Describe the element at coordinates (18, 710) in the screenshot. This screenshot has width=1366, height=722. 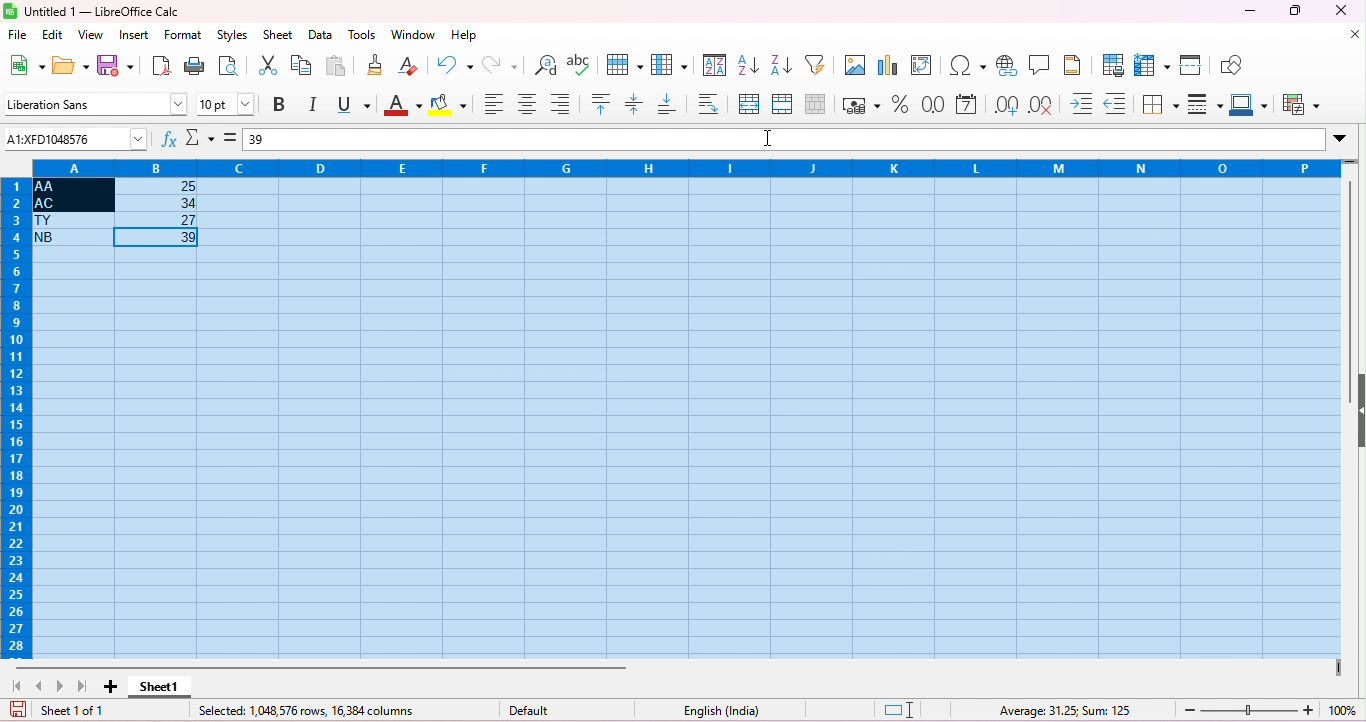
I see `save` at that location.